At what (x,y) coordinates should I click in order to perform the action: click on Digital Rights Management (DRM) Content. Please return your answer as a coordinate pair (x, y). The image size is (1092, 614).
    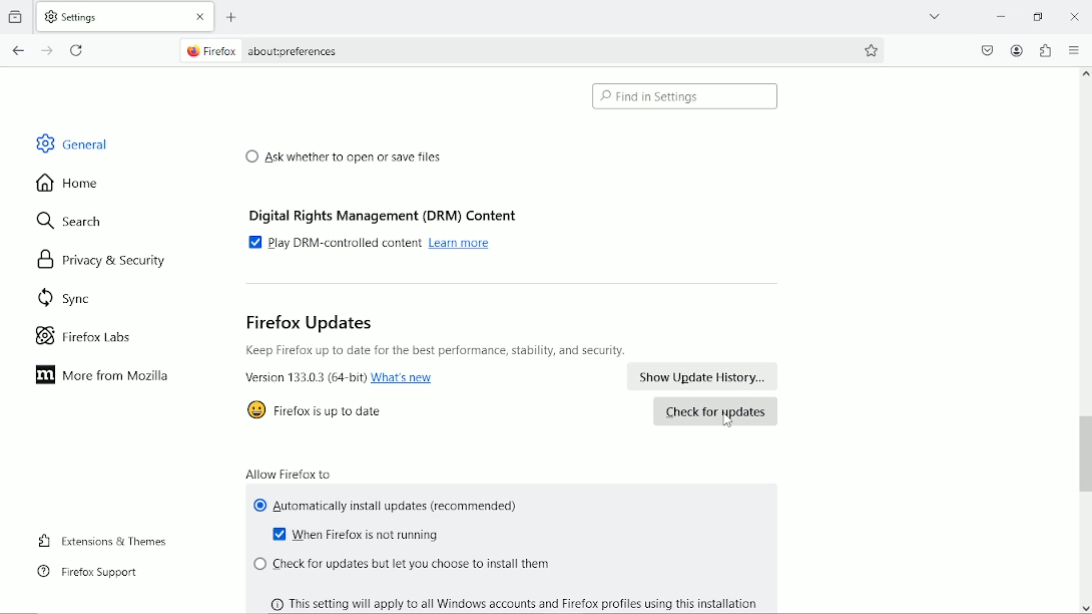
    Looking at the image, I should click on (386, 212).